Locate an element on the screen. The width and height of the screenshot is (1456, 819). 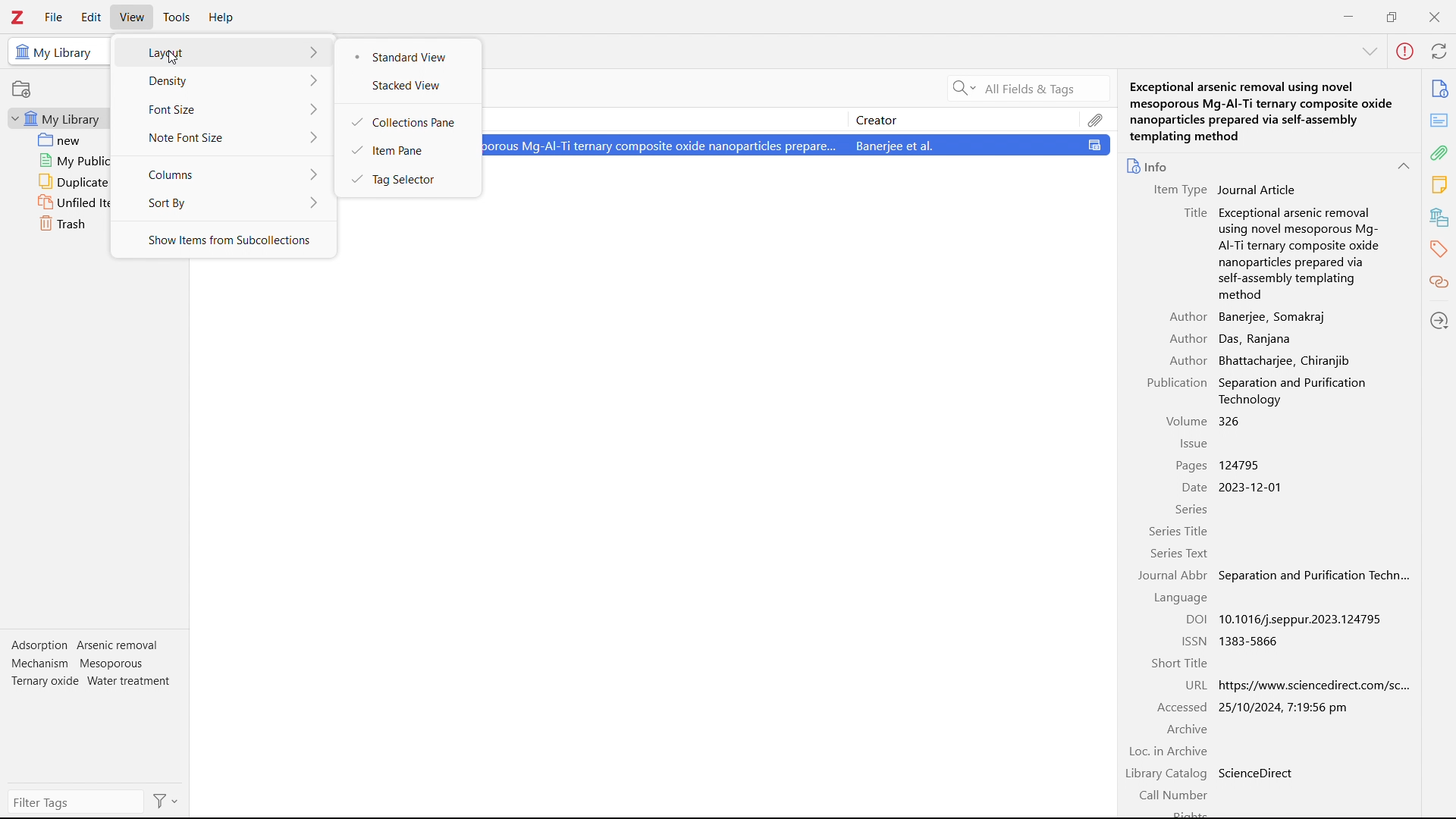
1383-5866 is located at coordinates (1254, 642).